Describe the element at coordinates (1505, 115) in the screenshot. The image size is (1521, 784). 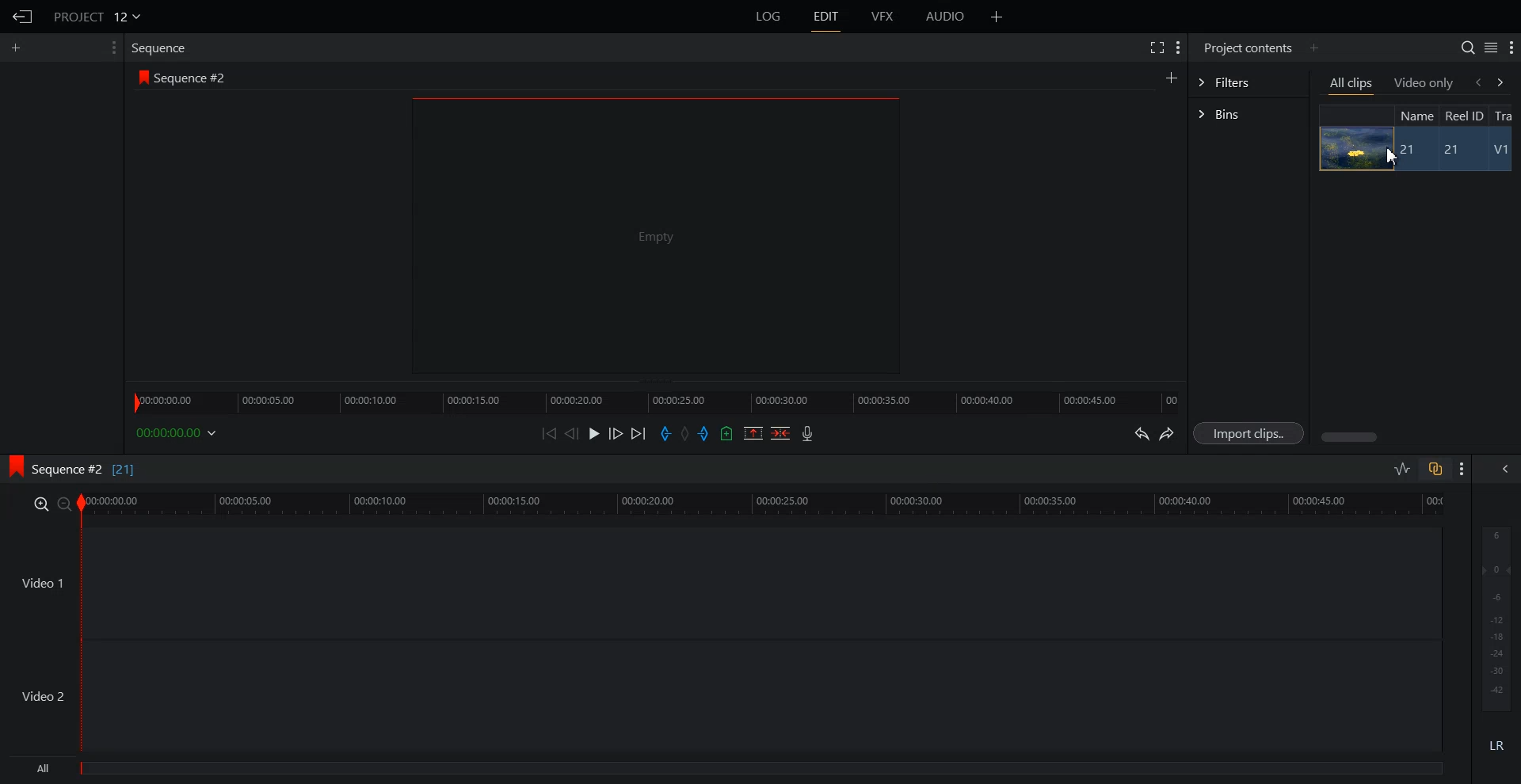
I see `Tra` at that location.